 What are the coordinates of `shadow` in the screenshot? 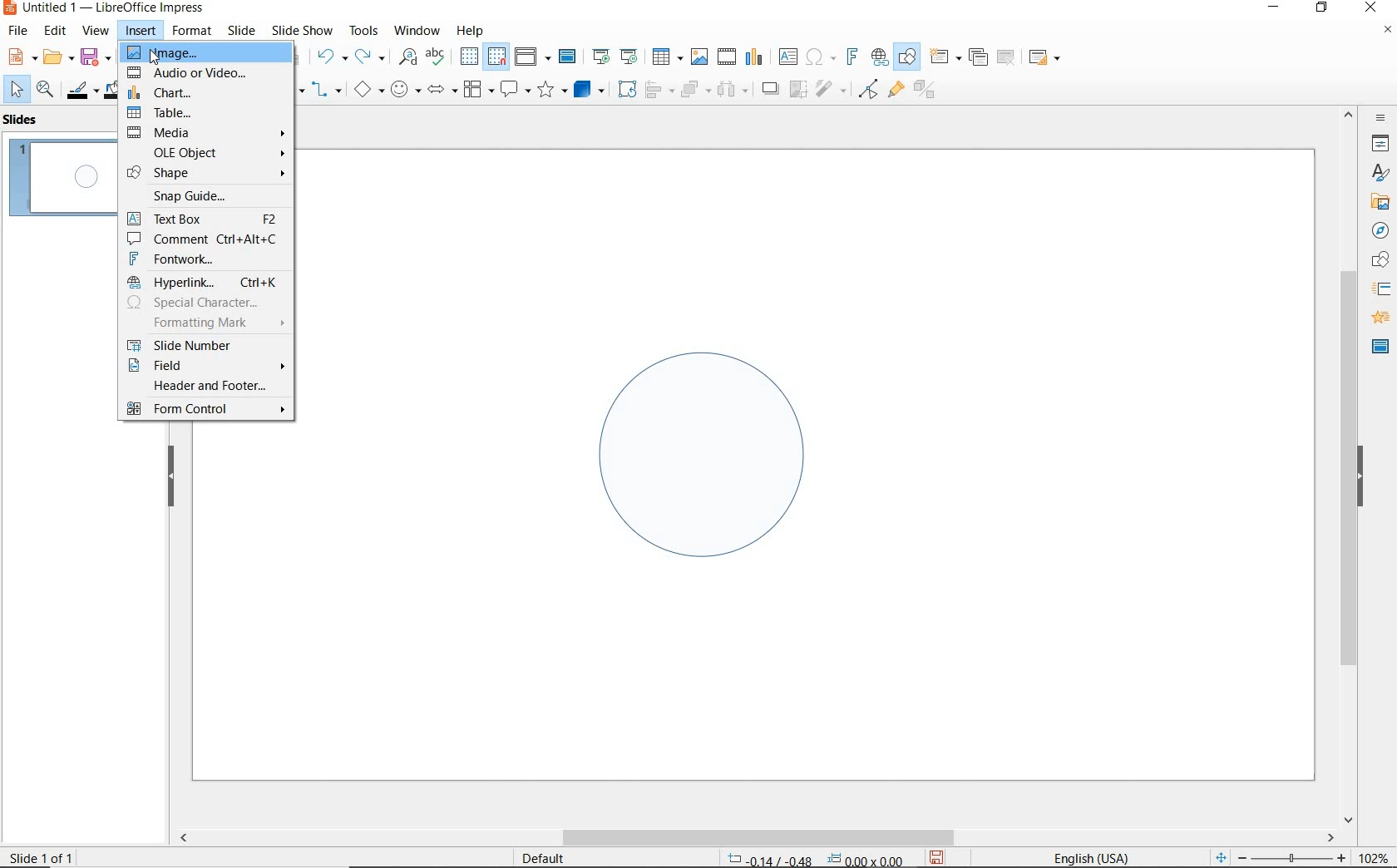 It's located at (769, 87).